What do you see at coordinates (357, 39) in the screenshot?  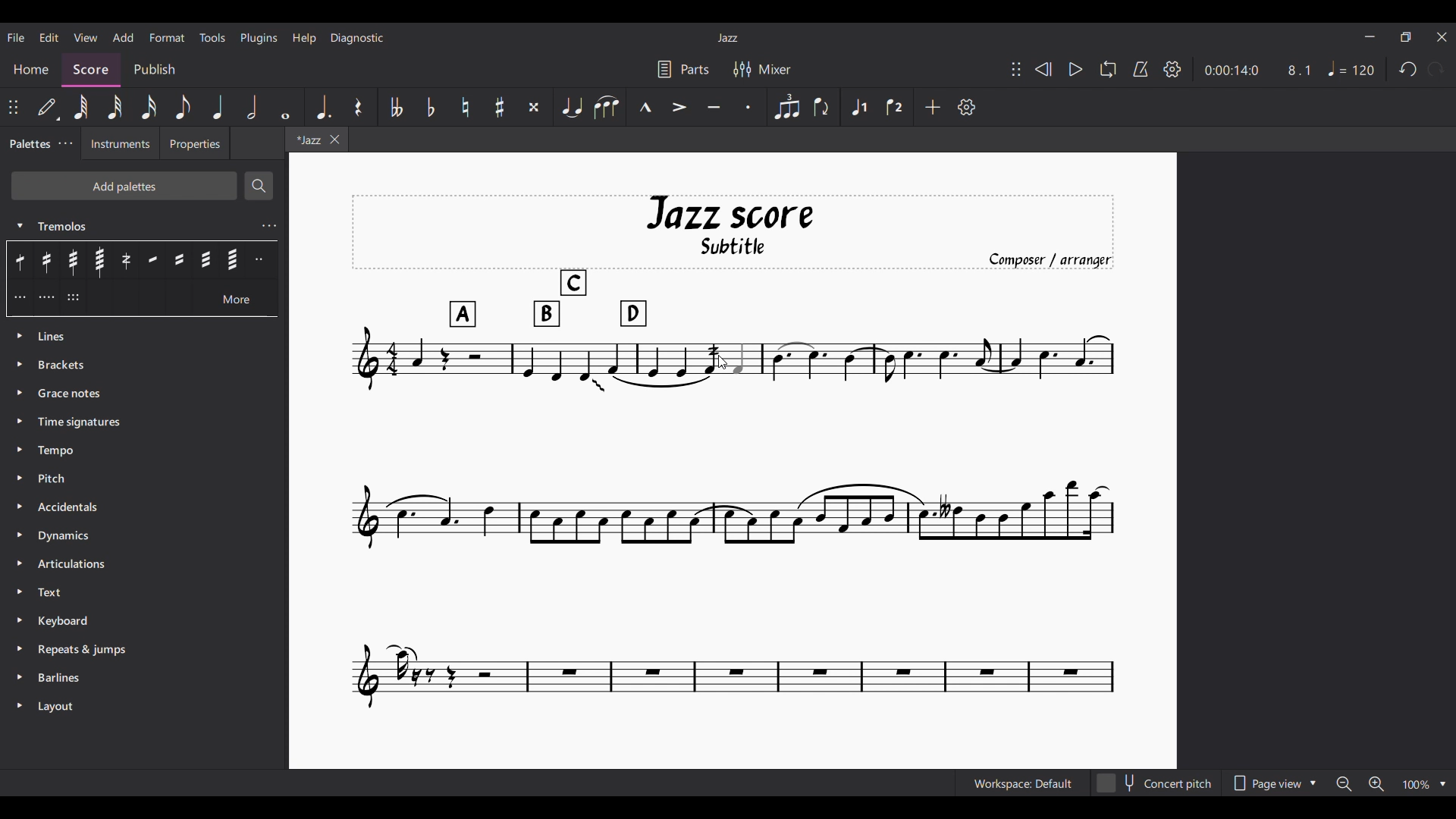 I see `Diagnostic` at bounding box center [357, 39].